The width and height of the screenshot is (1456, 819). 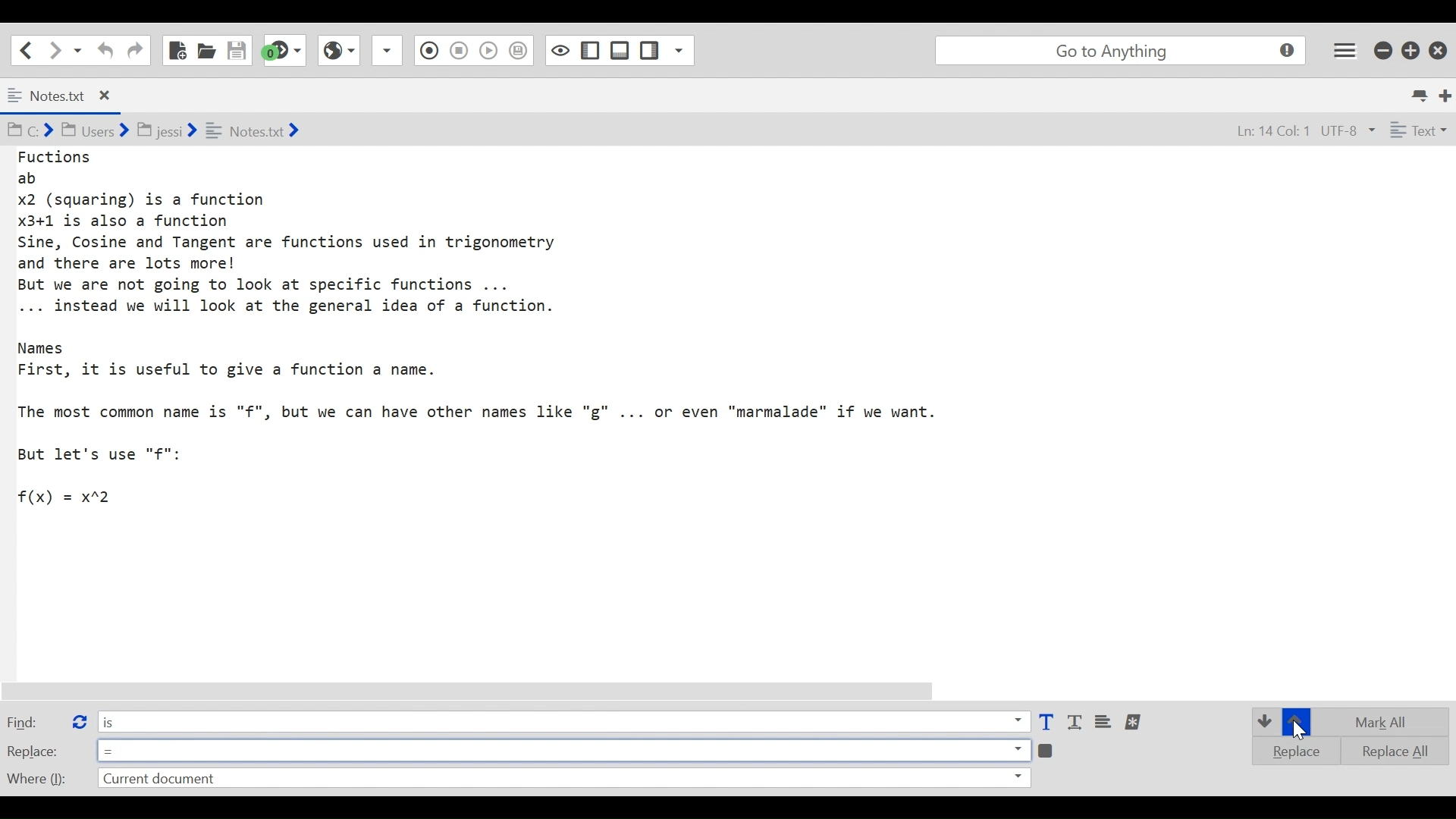 I want to click on Replace All, so click(x=1385, y=749).